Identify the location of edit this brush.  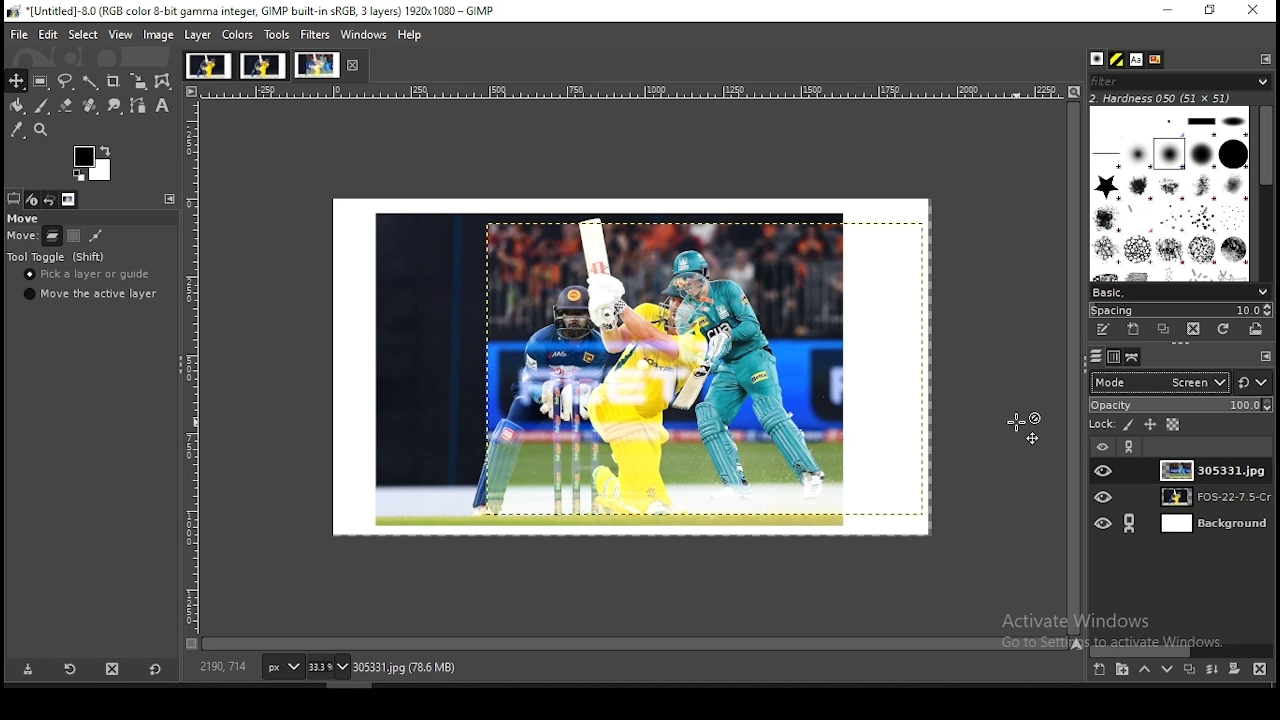
(1101, 329).